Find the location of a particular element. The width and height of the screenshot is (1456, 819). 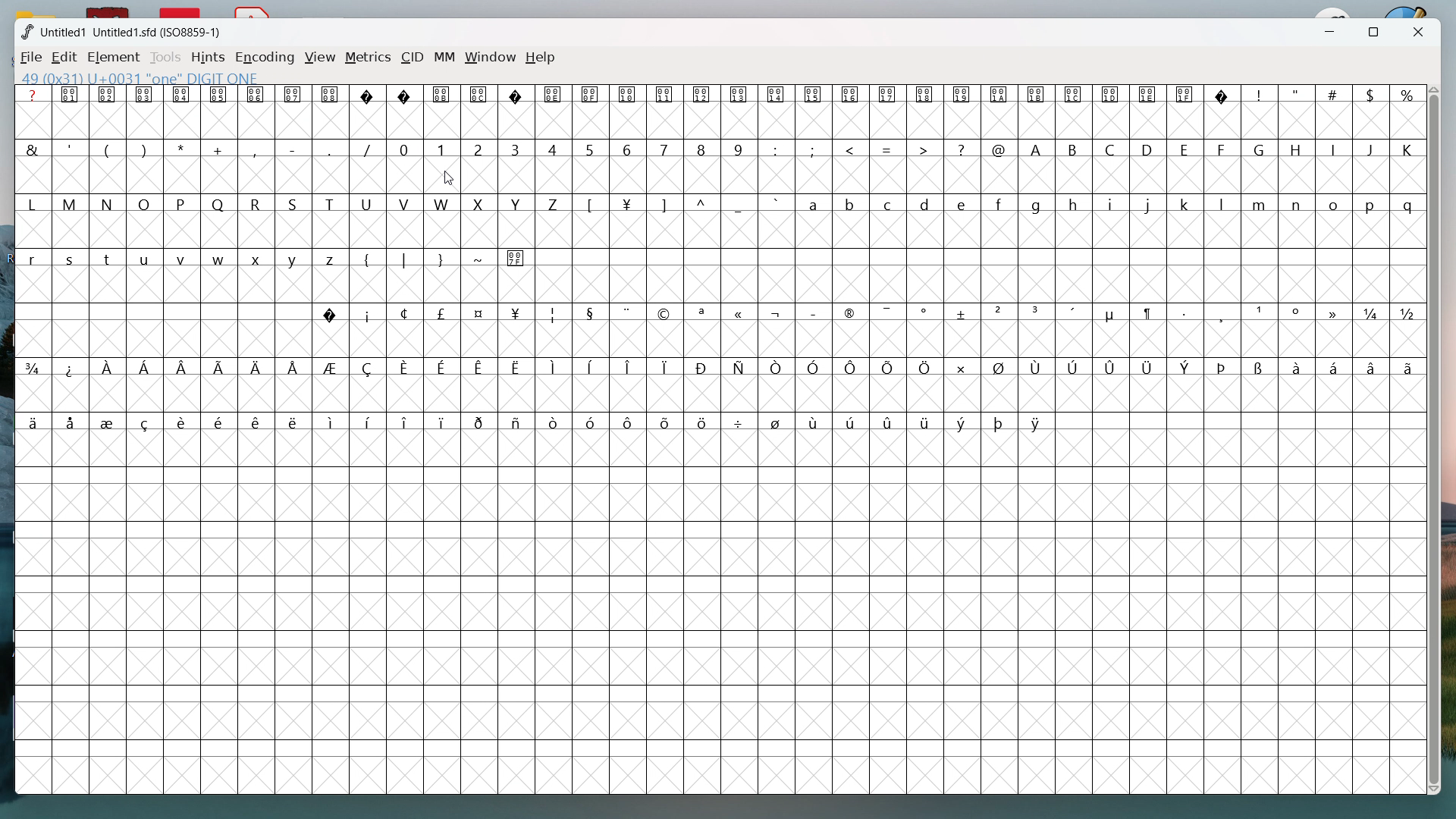

symbol is located at coordinates (886, 96).